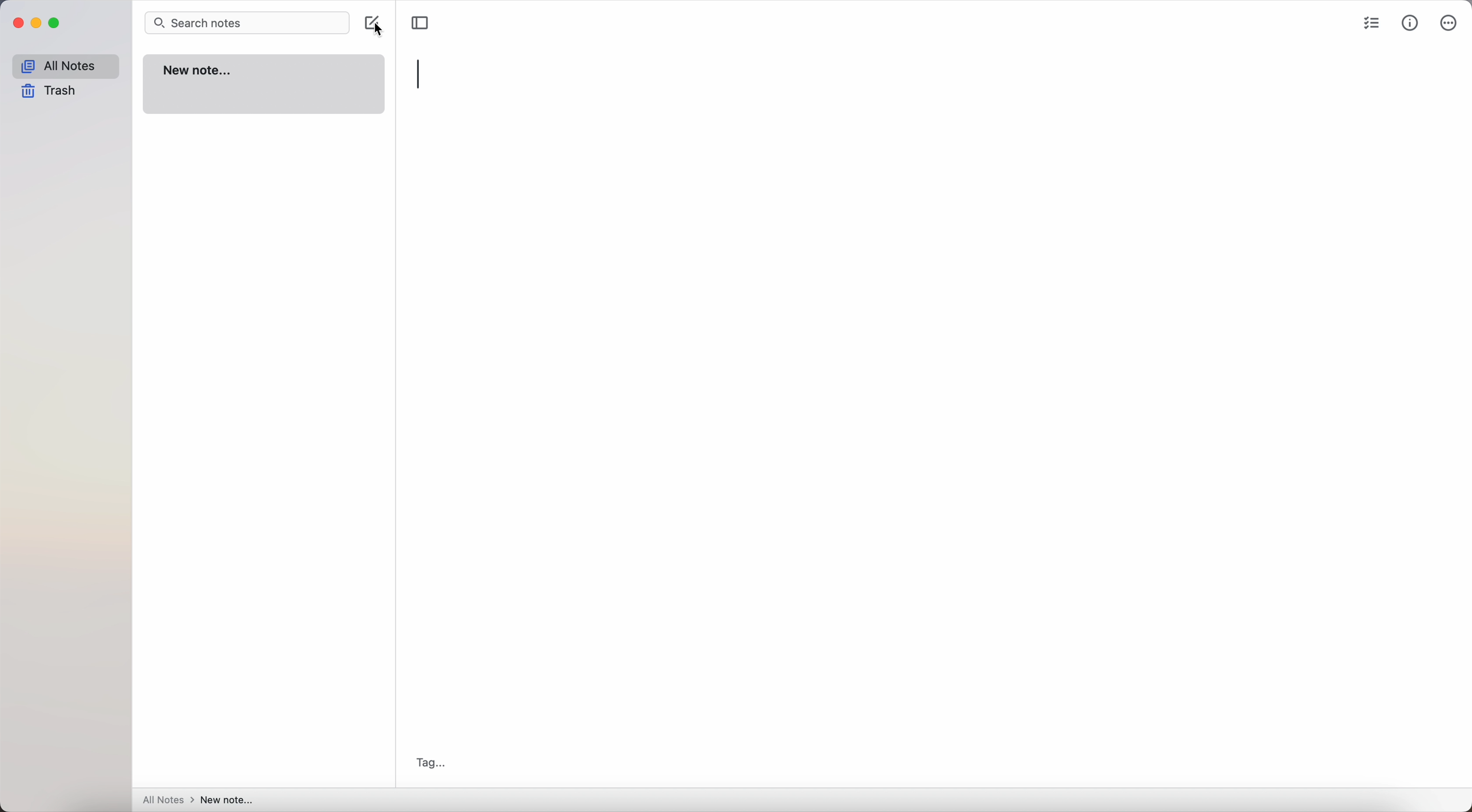  I want to click on new note, so click(241, 799).